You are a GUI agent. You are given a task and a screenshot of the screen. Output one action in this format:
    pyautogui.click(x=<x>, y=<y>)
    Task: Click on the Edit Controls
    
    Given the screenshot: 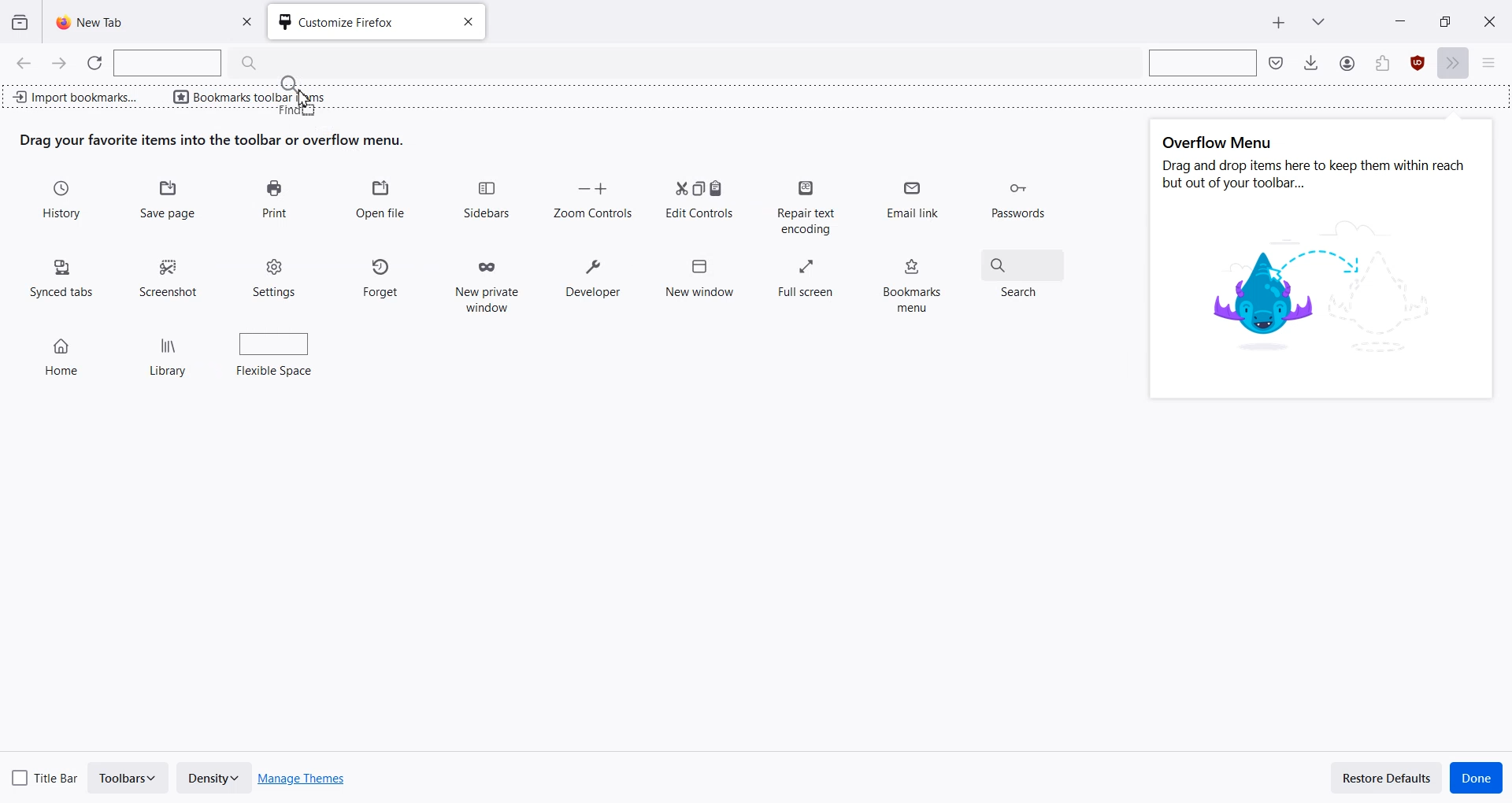 What is the action you would take?
    pyautogui.click(x=699, y=198)
    